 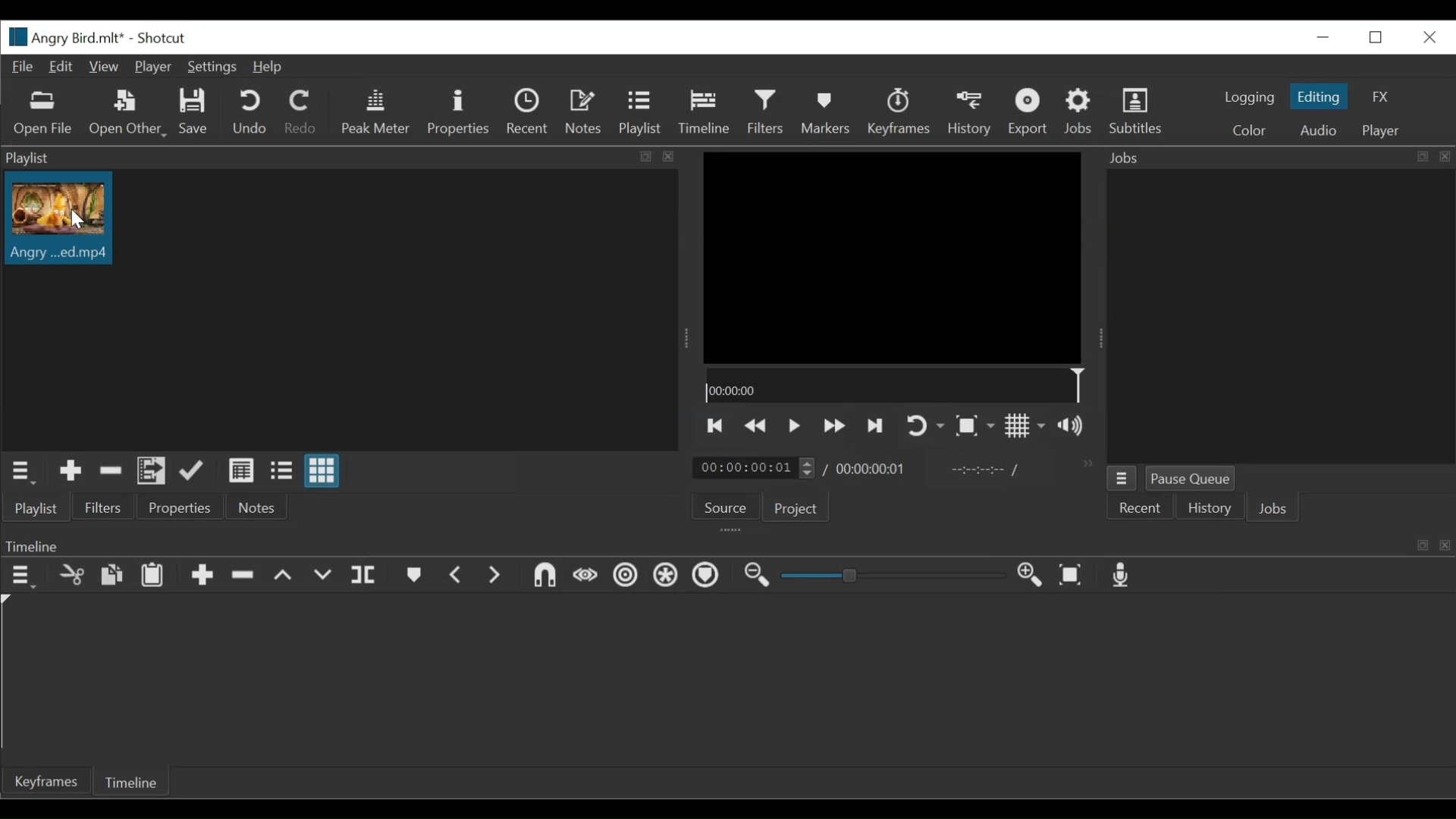 I want to click on Snap, so click(x=544, y=577).